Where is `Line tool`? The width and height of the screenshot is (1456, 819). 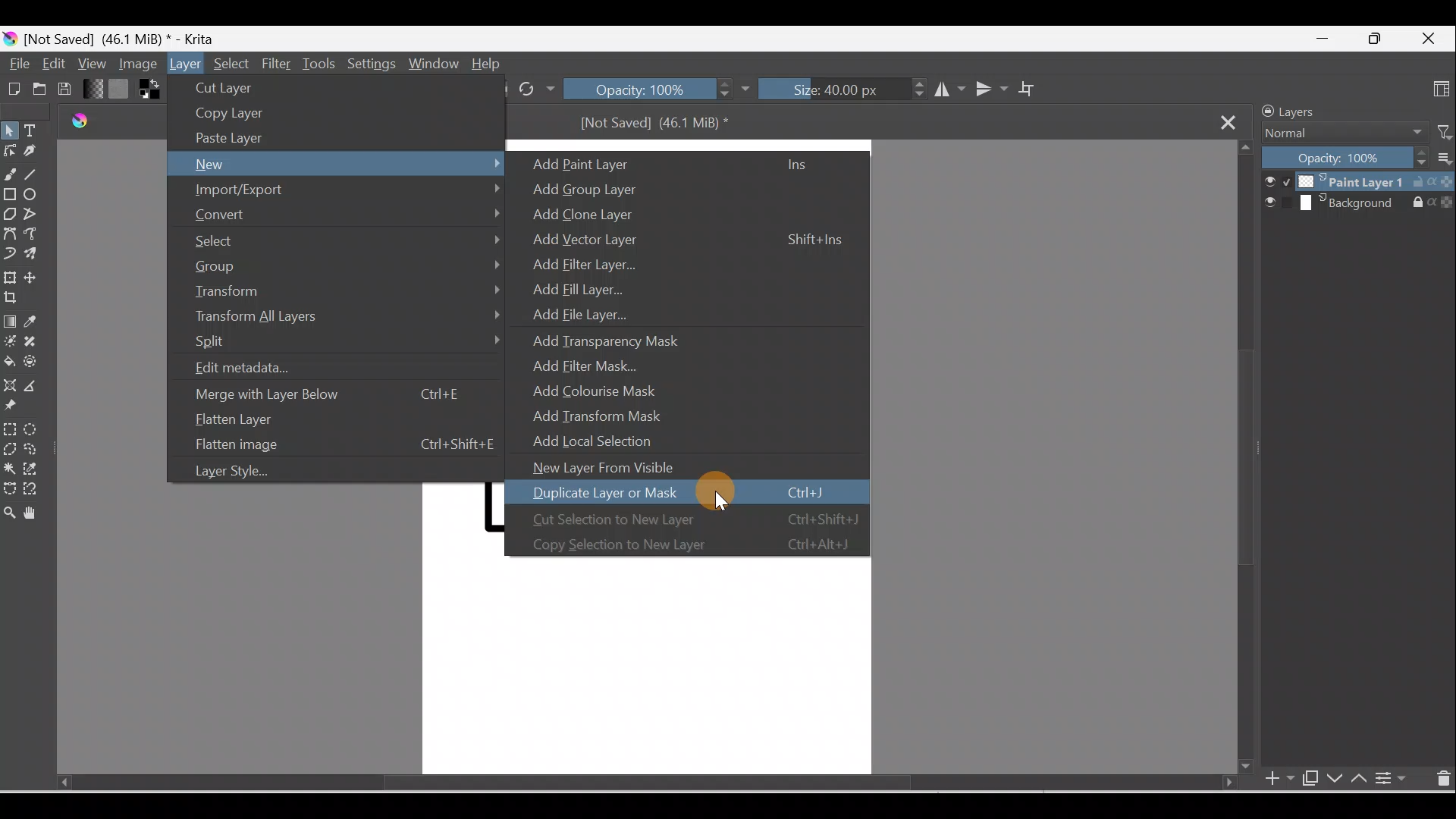
Line tool is located at coordinates (34, 174).